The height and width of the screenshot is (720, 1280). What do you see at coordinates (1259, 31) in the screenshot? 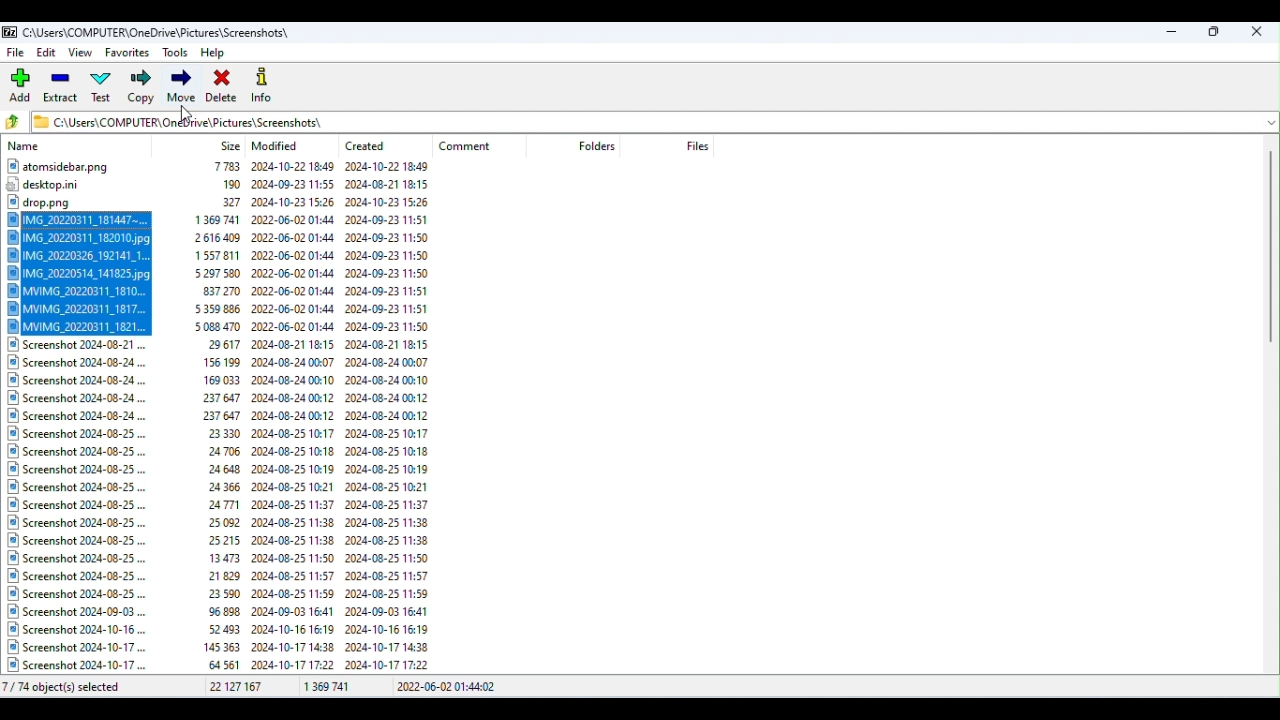
I see `Close` at bounding box center [1259, 31].